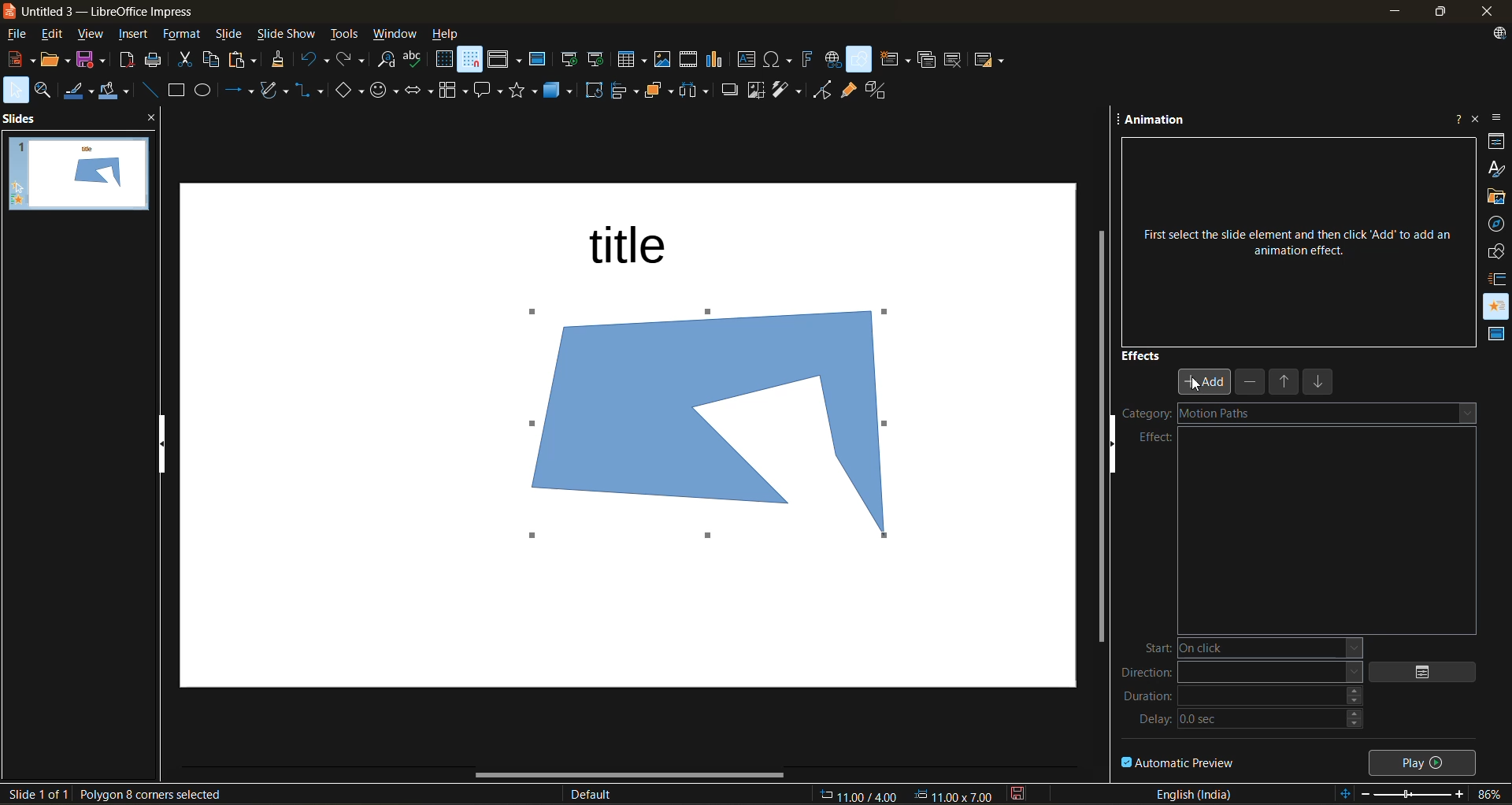  Describe the element at coordinates (37, 795) in the screenshot. I see `slide details` at that location.